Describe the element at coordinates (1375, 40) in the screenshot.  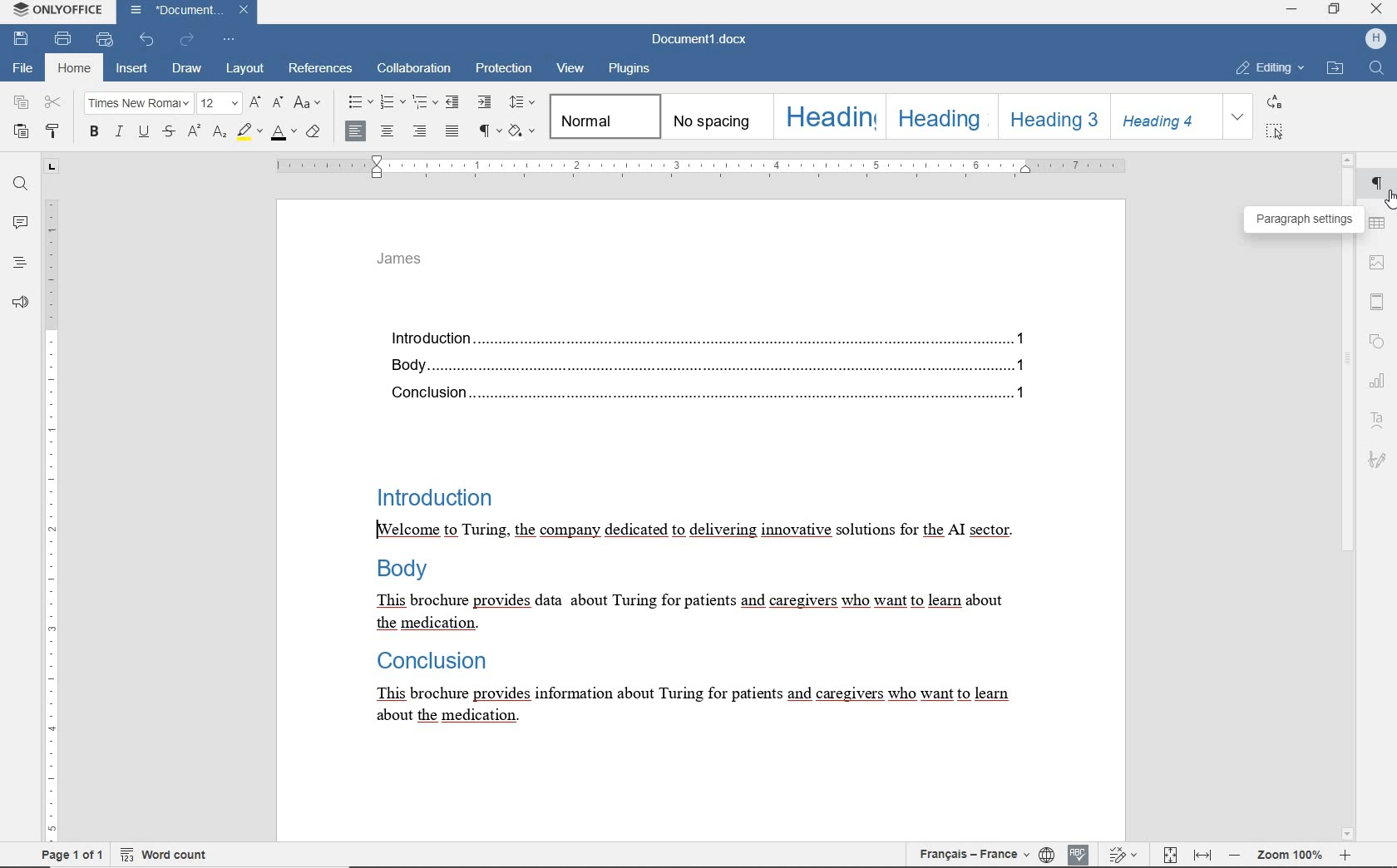
I see `hp` at that location.